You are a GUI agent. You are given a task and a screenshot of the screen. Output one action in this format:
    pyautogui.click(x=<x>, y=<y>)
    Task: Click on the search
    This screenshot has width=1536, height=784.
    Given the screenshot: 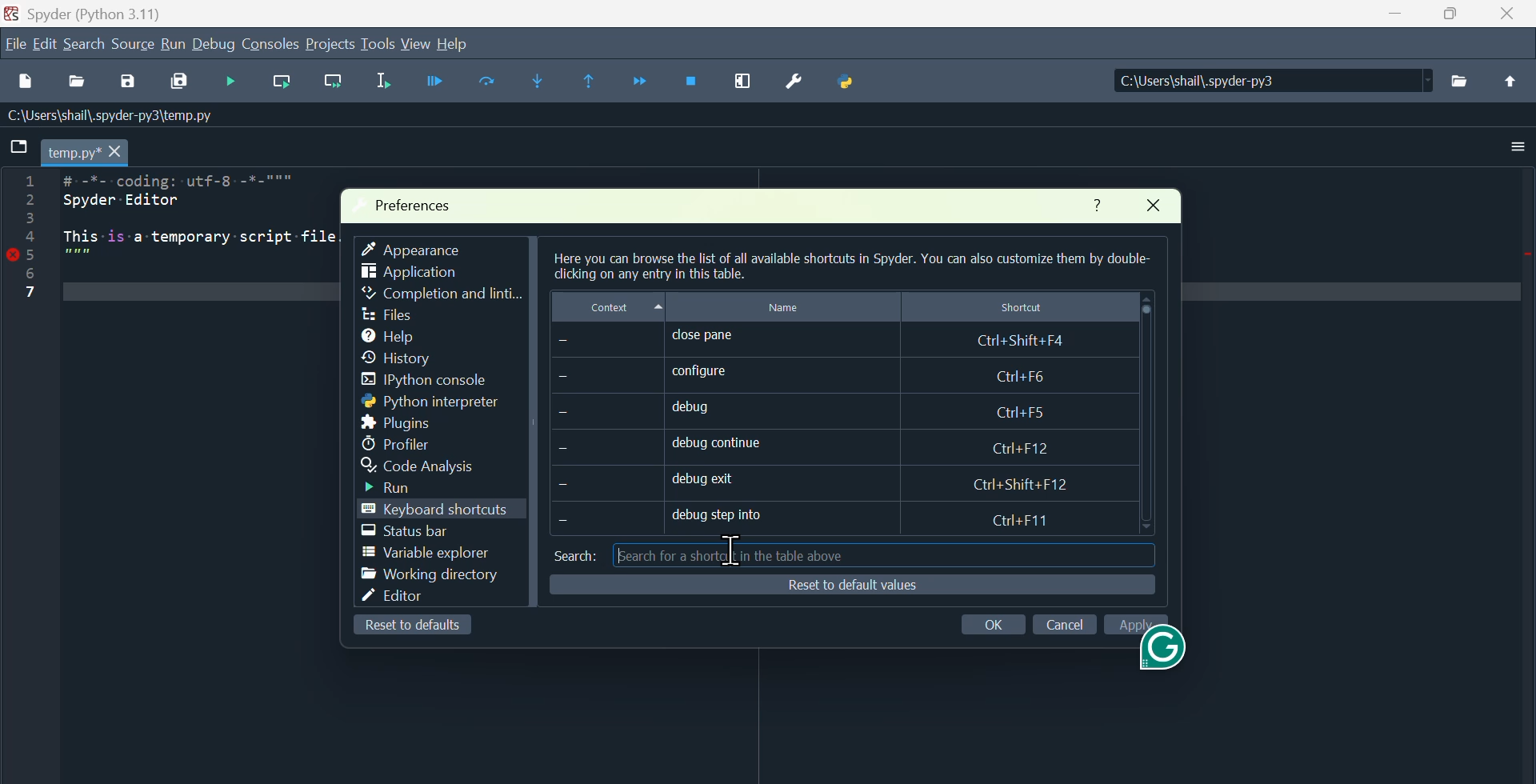 What is the action you would take?
    pyautogui.click(x=572, y=554)
    